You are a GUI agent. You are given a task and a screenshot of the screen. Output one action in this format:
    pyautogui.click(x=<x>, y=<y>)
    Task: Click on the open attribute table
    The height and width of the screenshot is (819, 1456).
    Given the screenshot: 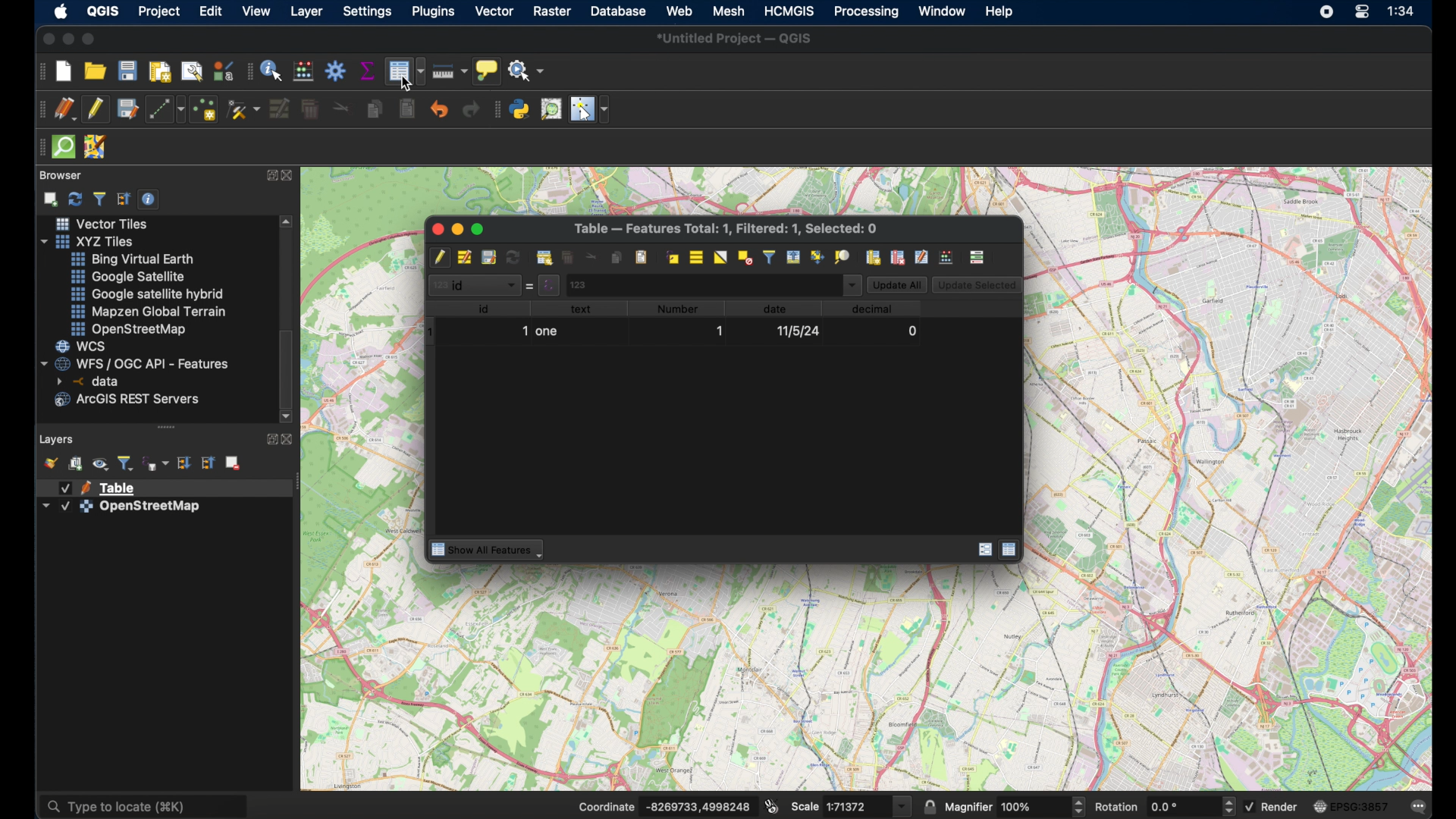 What is the action you would take?
    pyautogui.click(x=404, y=72)
    